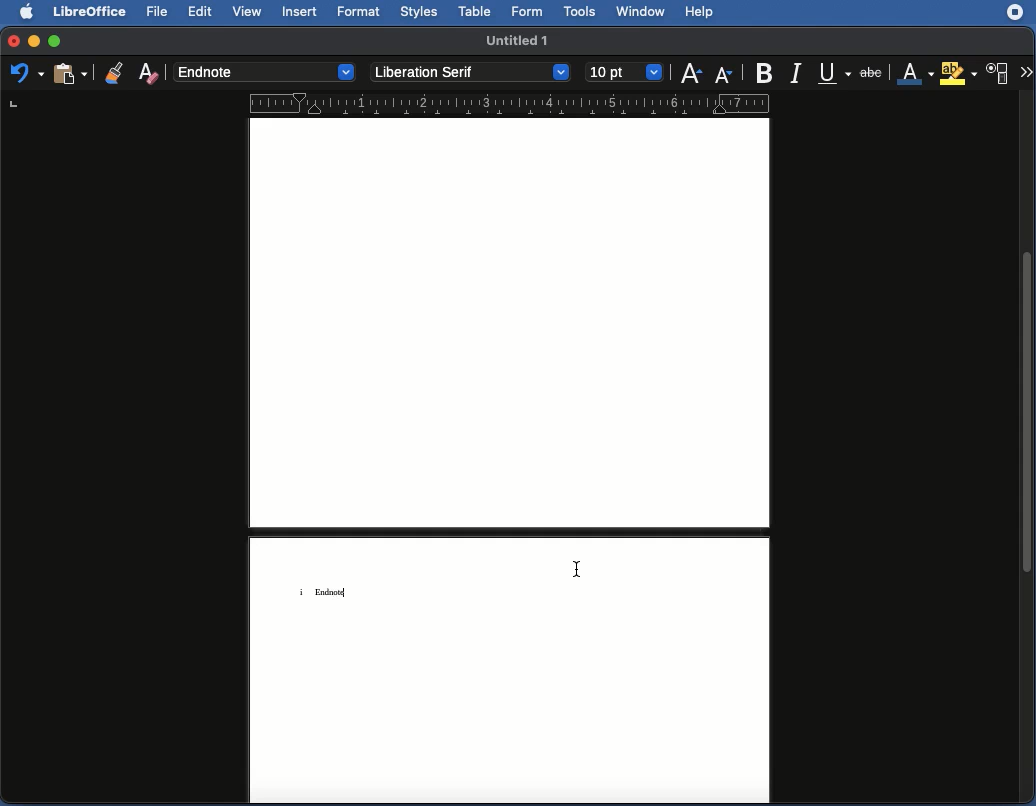  What do you see at coordinates (476, 12) in the screenshot?
I see `Table` at bounding box center [476, 12].